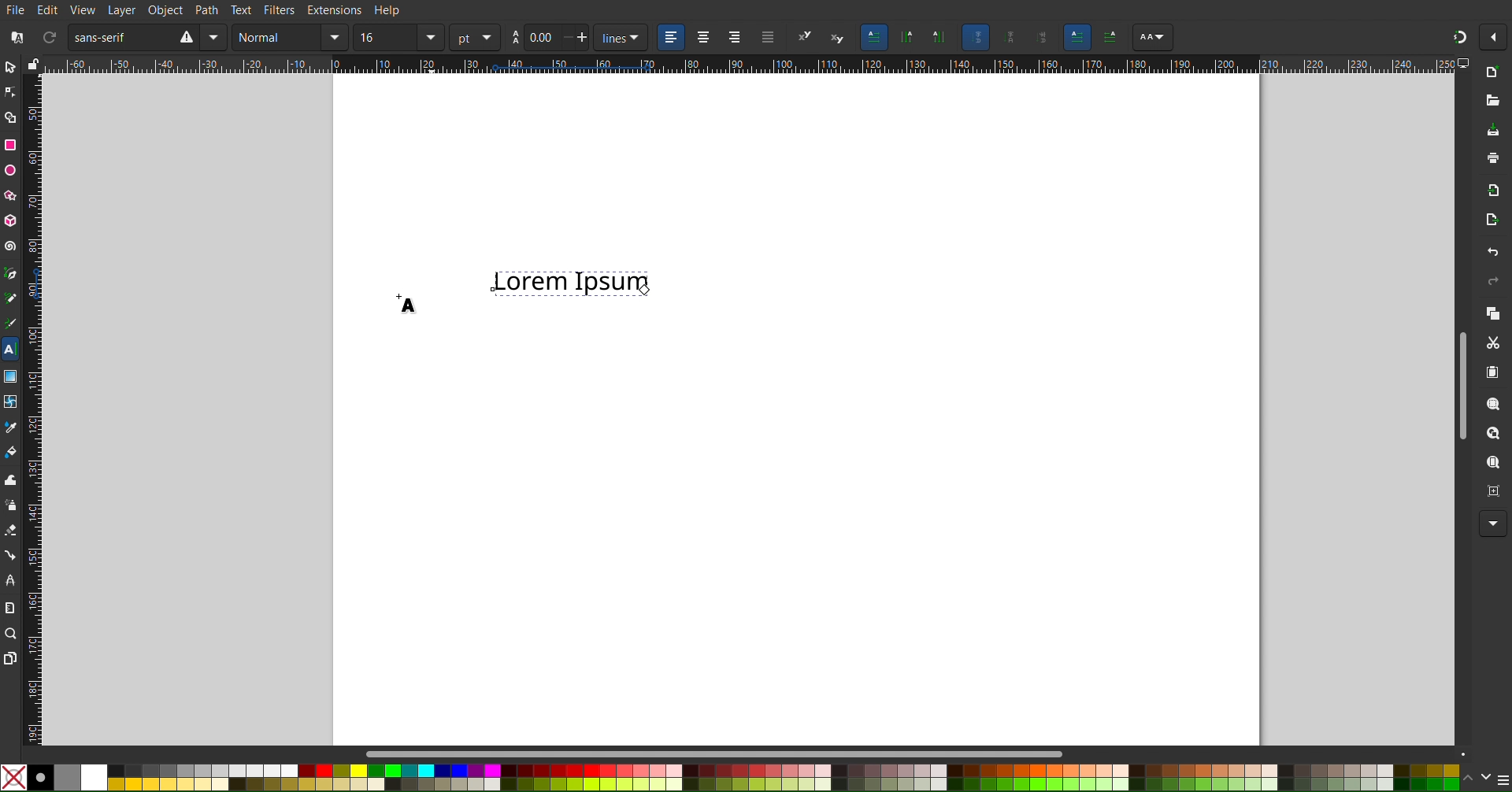 The width and height of the screenshot is (1512, 792). What do you see at coordinates (430, 37) in the screenshot?
I see `size menu` at bounding box center [430, 37].